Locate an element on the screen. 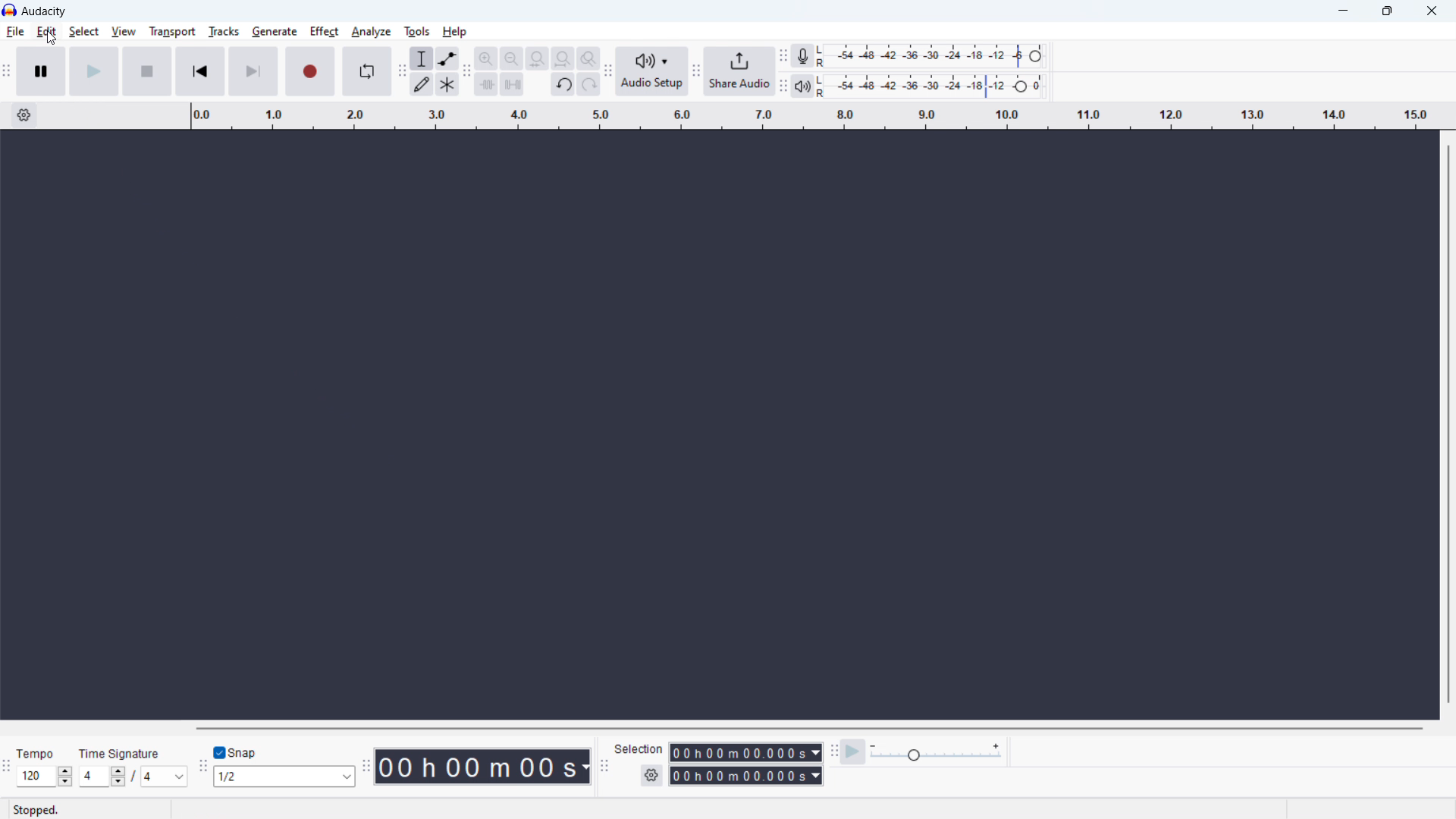 The height and width of the screenshot is (819, 1456). maximize is located at coordinates (1387, 12).